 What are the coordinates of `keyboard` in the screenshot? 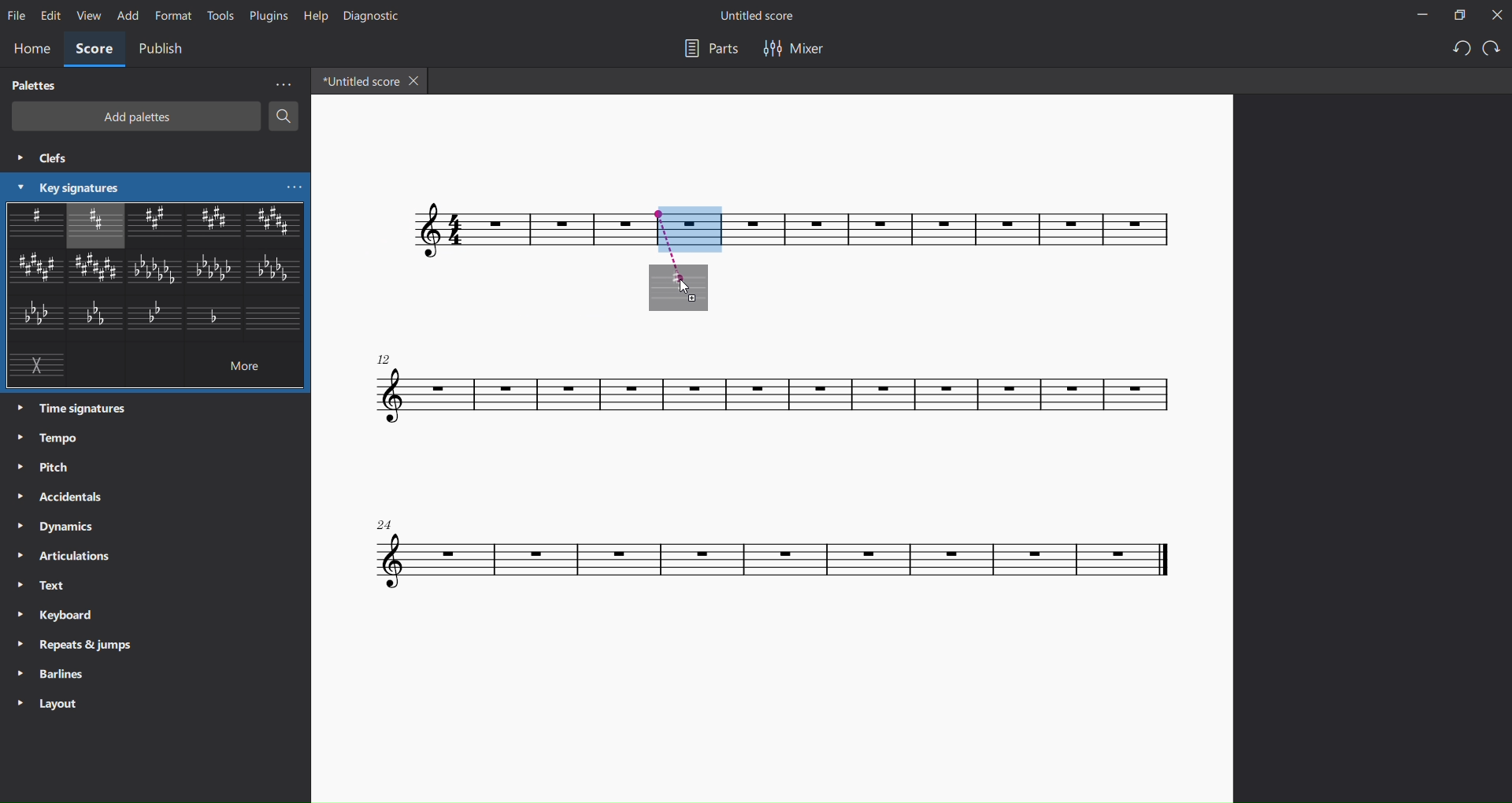 It's located at (62, 615).